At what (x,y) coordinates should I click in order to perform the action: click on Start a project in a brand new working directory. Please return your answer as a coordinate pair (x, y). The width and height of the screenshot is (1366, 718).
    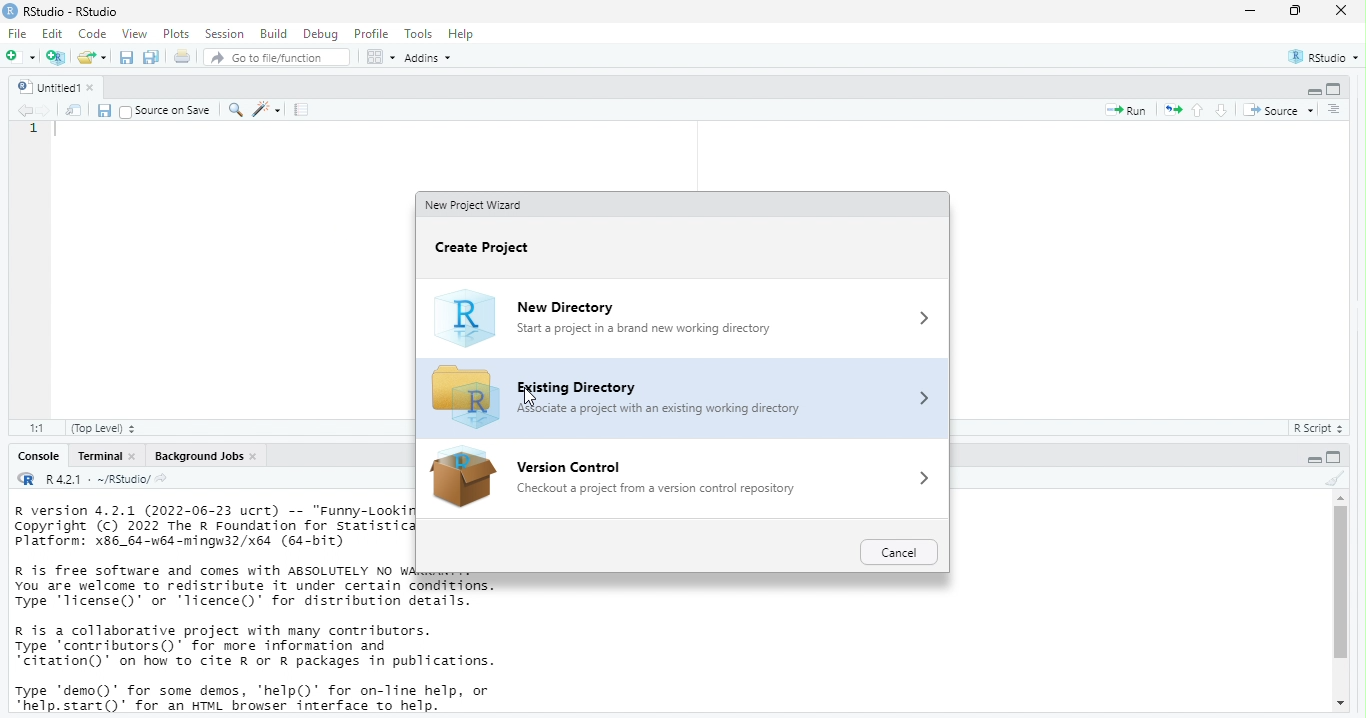
    Looking at the image, I should click on (650, 329).